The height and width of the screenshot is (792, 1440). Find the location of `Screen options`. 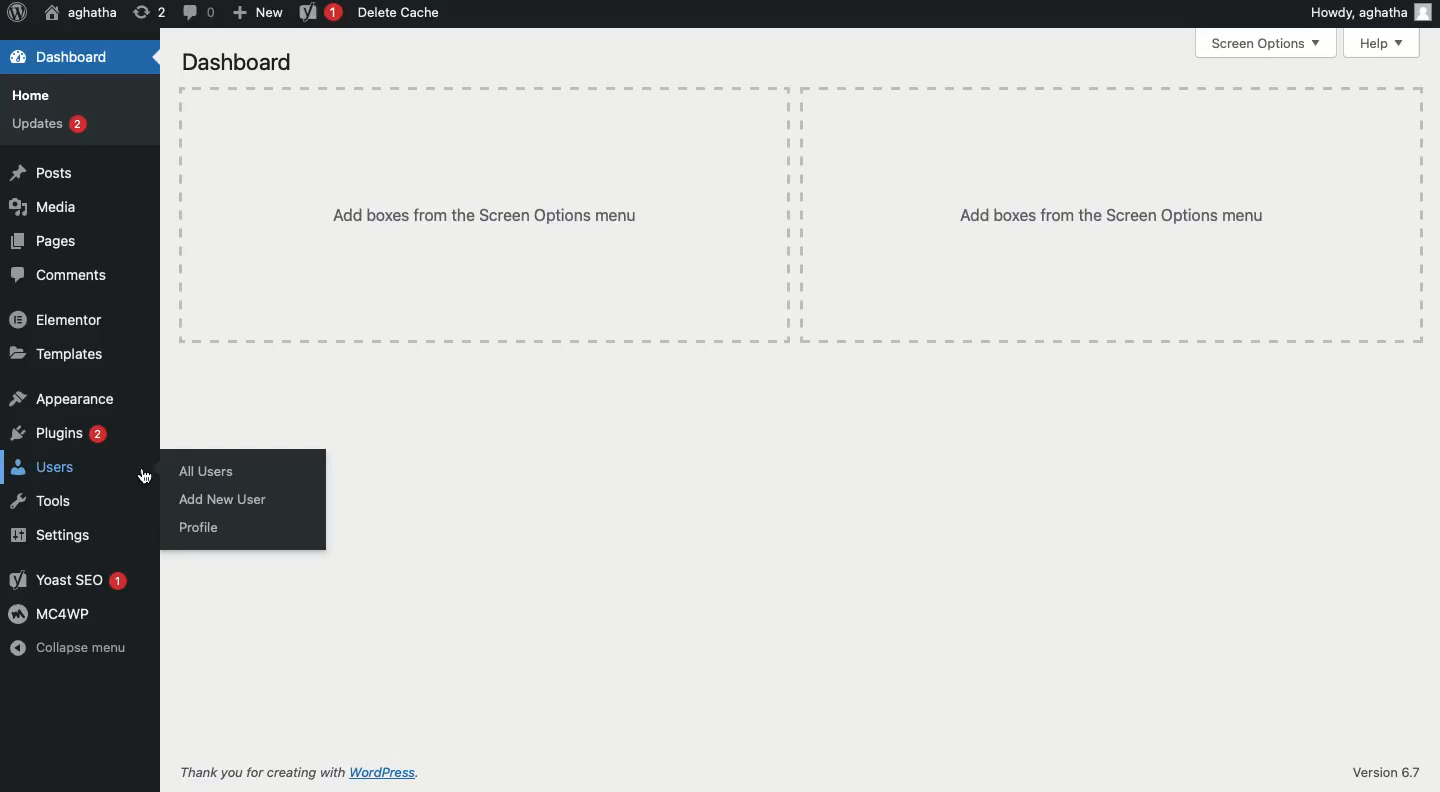

Screen options is located at coordinates (1268, 42).